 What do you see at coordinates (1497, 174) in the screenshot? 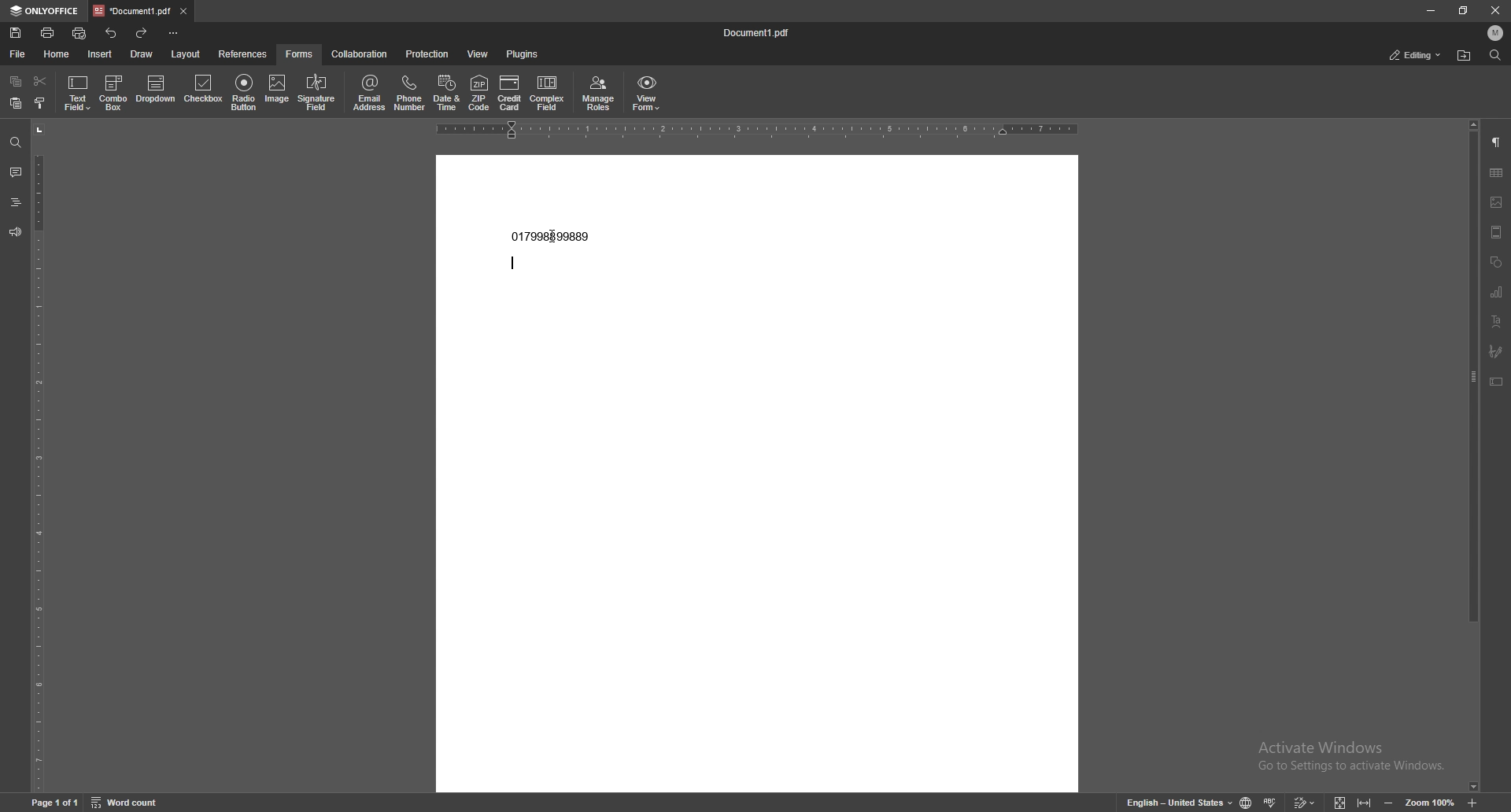
I see `table` at bounding box center [1497, 174].